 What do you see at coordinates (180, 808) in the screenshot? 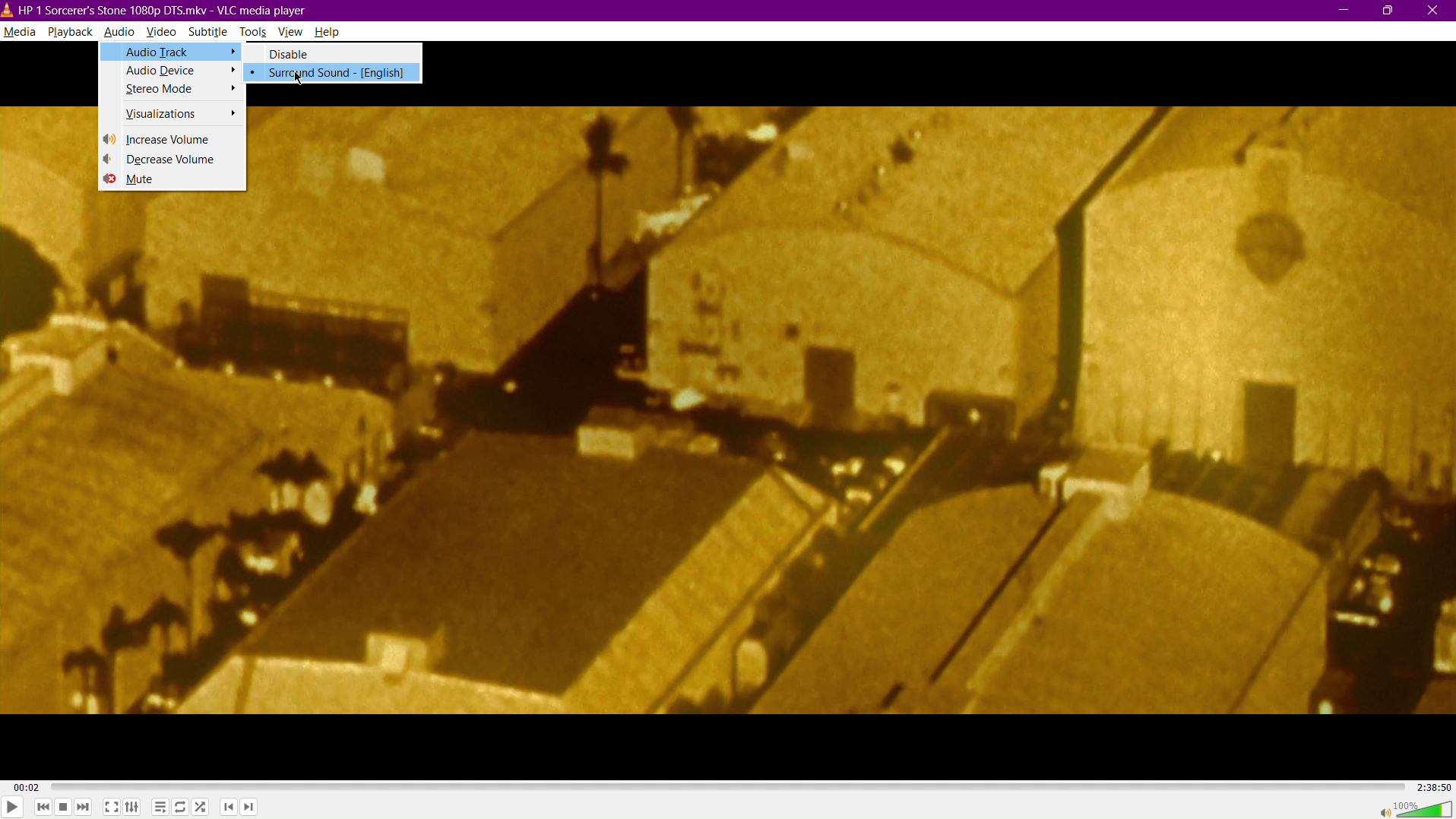
I see `Toggle Loop` at bounding box center [180, 808].